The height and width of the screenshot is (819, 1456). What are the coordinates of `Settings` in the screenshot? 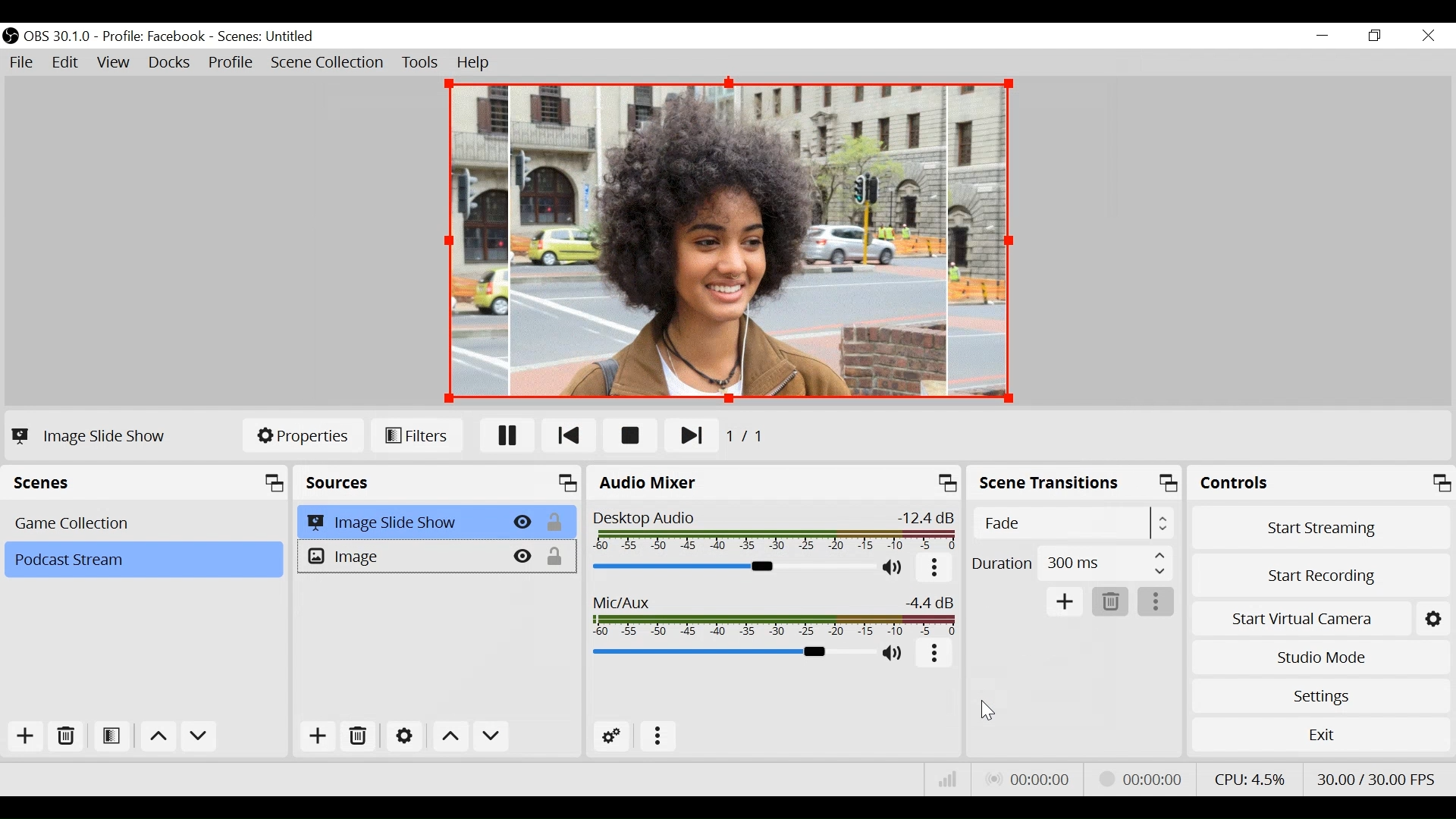 It's located at (404, 736).